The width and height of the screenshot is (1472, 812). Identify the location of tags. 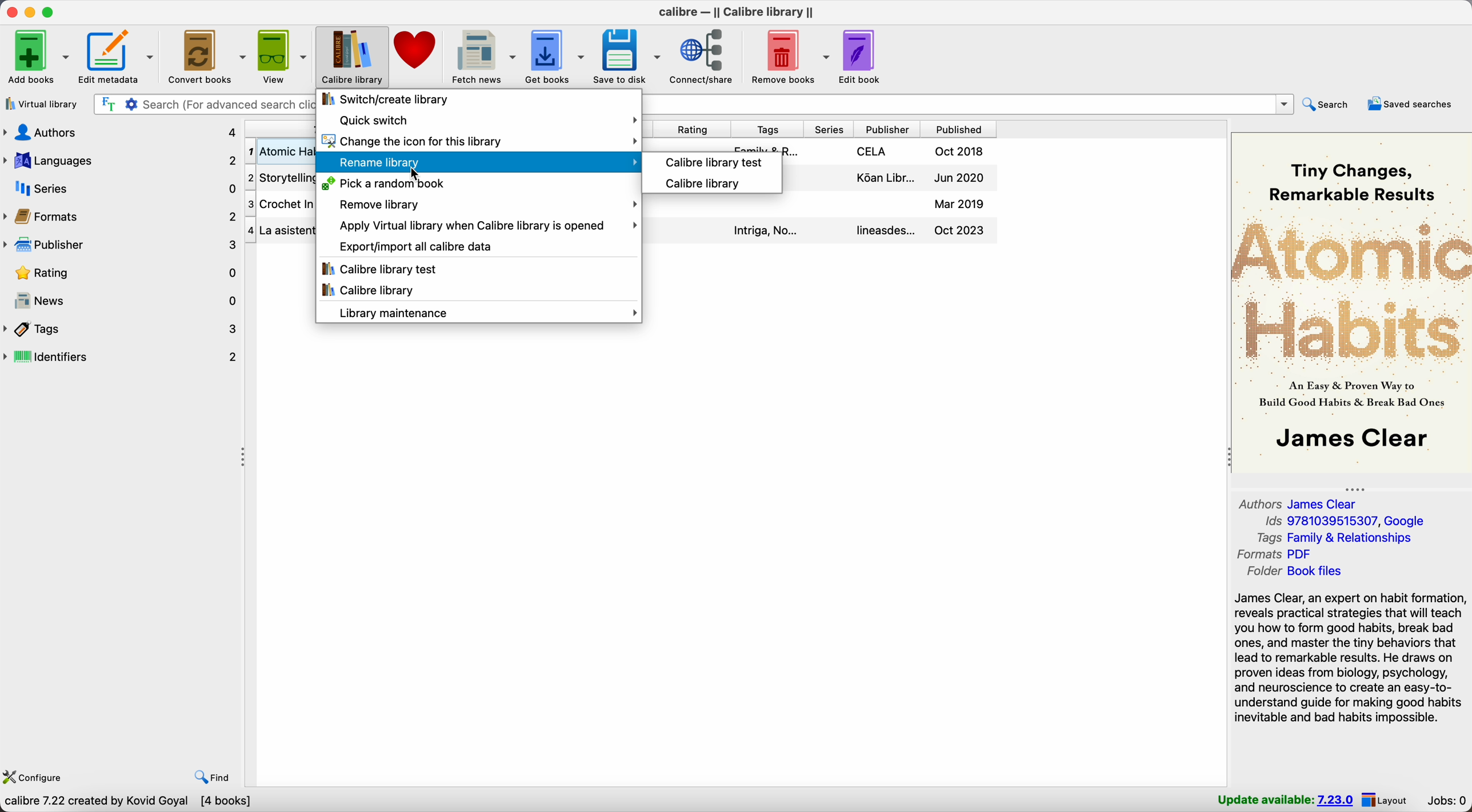
(122, 330).